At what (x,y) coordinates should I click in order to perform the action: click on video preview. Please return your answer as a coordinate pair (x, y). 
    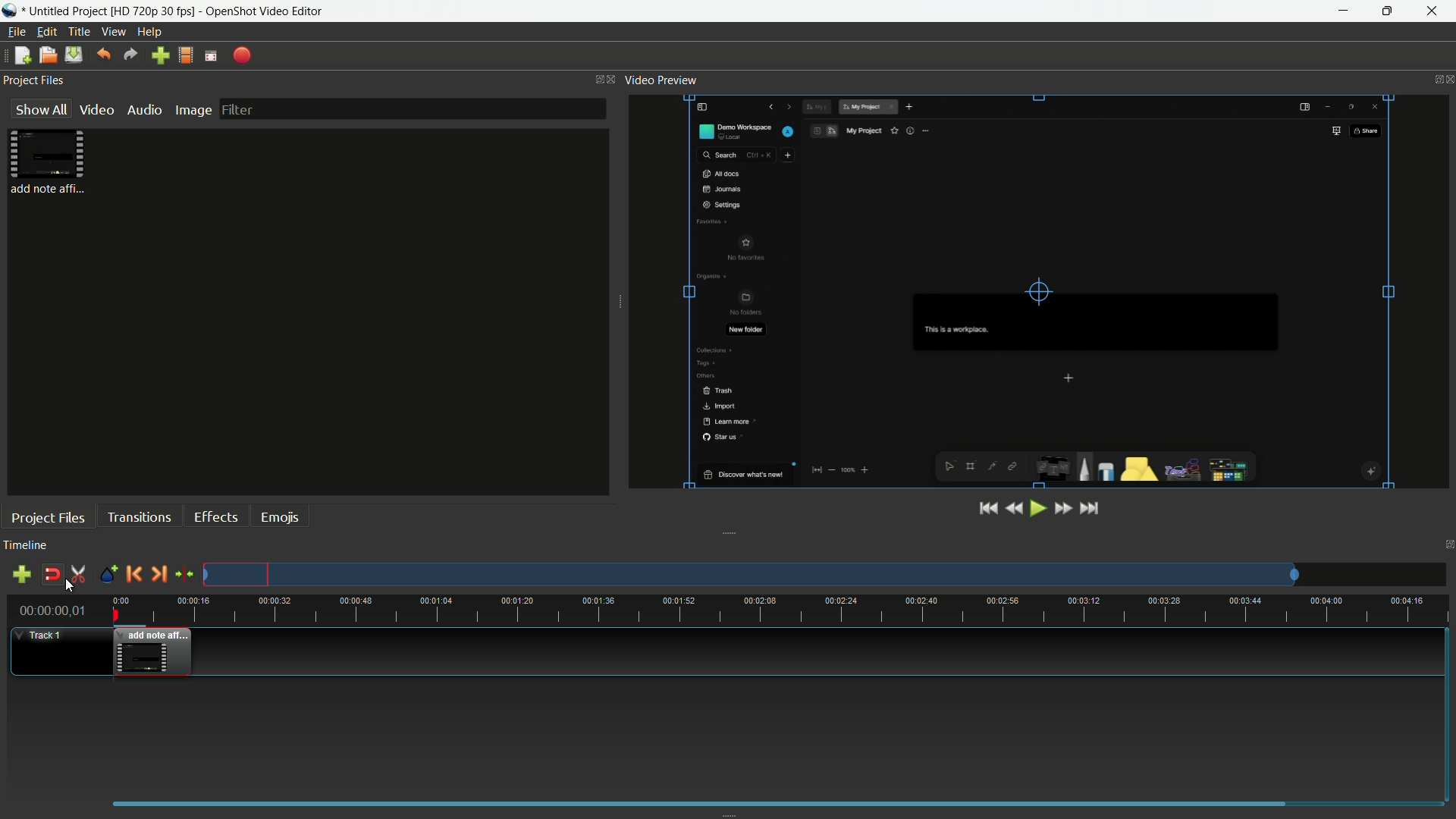
    Looking at the image, I should click on (1037, 292).